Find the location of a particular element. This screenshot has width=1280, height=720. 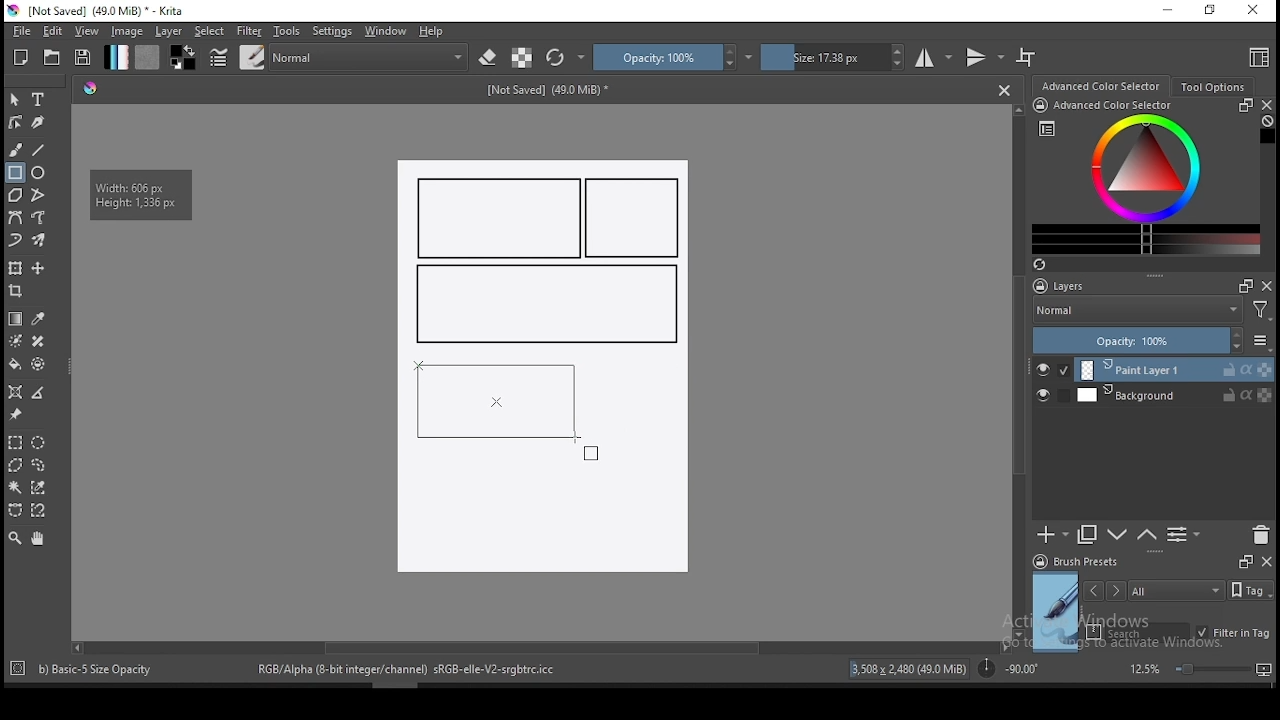

pan tool is located at coordinates (36, 539).